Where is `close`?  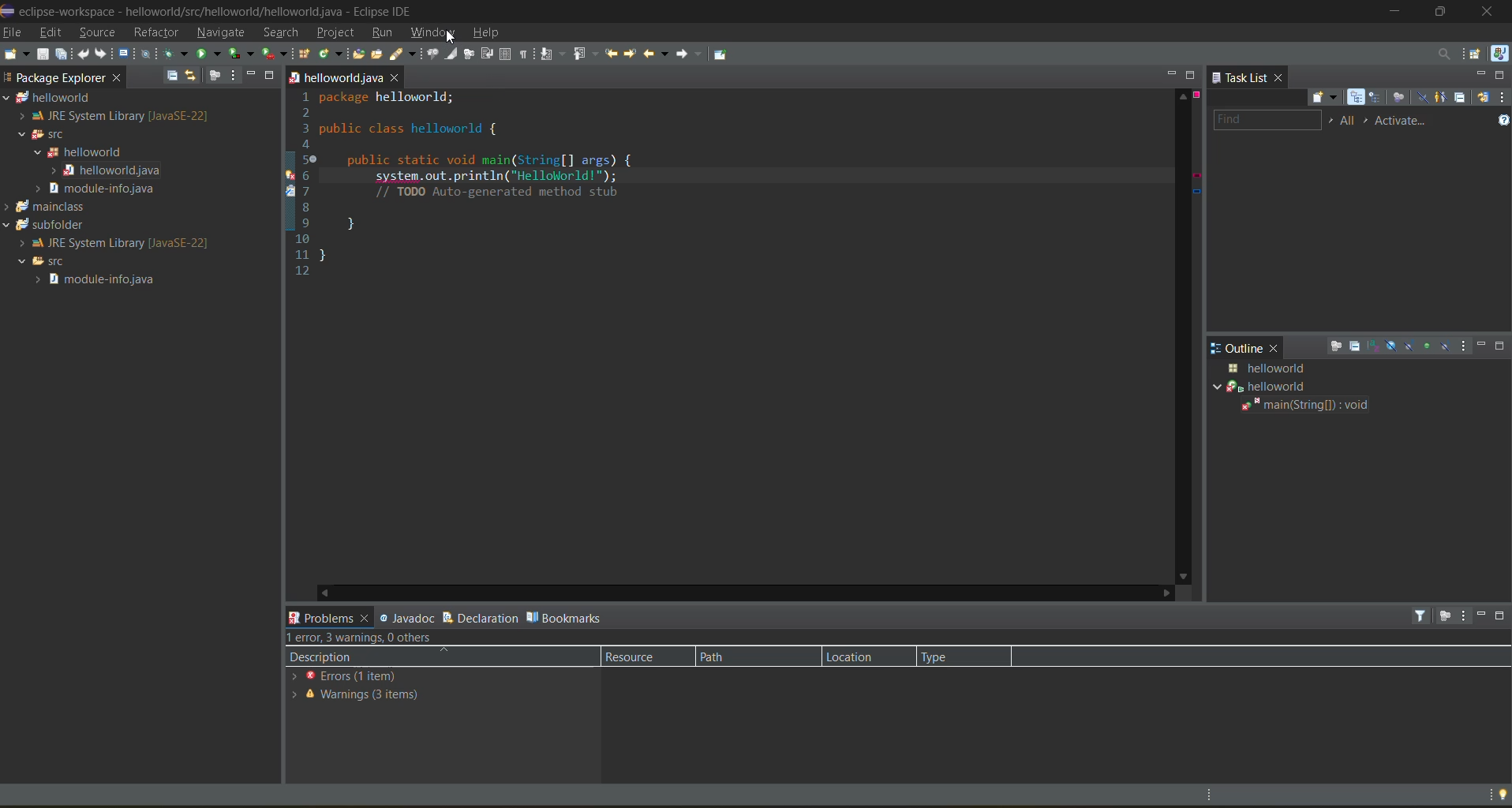
close is located at coordinates (1494, 11).